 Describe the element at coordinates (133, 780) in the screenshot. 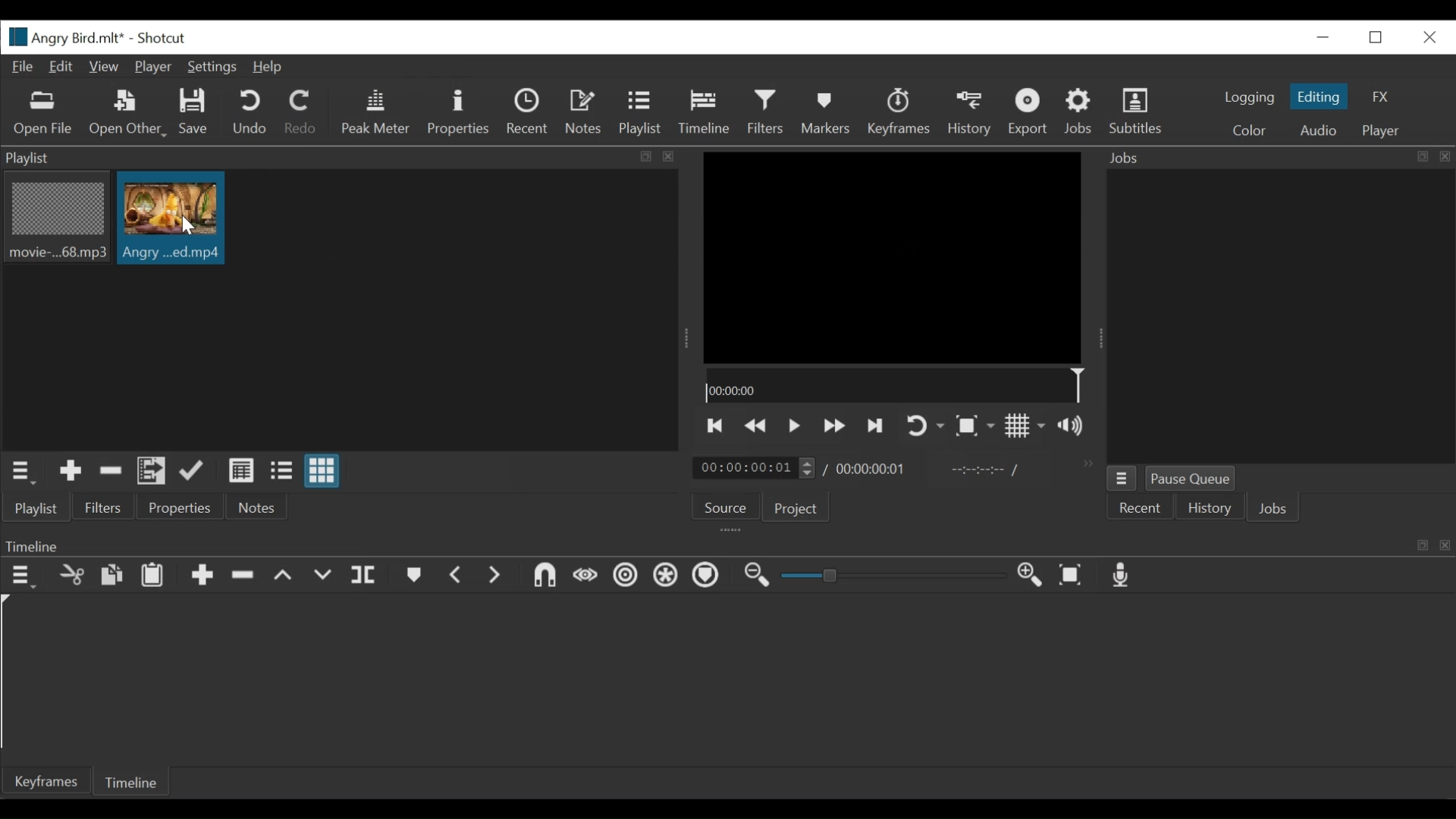

I see `Timeline` at that location.